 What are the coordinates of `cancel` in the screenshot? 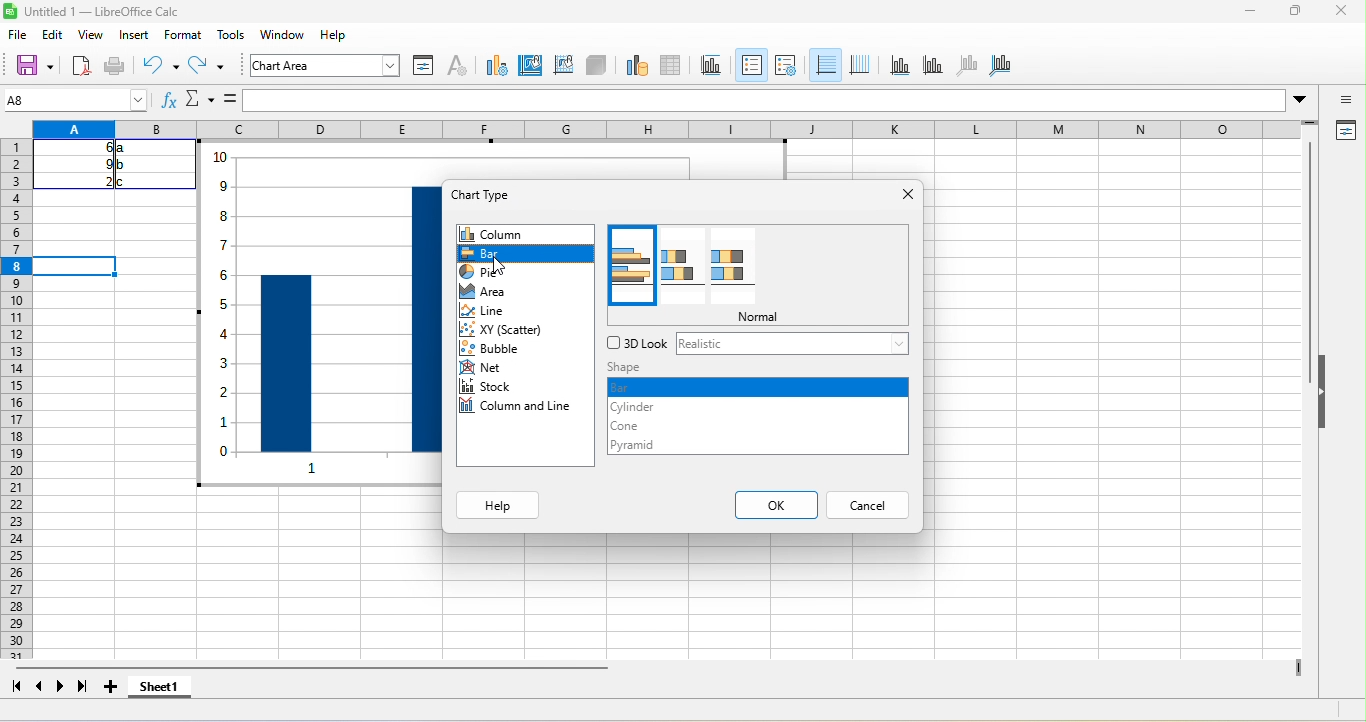 It's located at (869, 506).